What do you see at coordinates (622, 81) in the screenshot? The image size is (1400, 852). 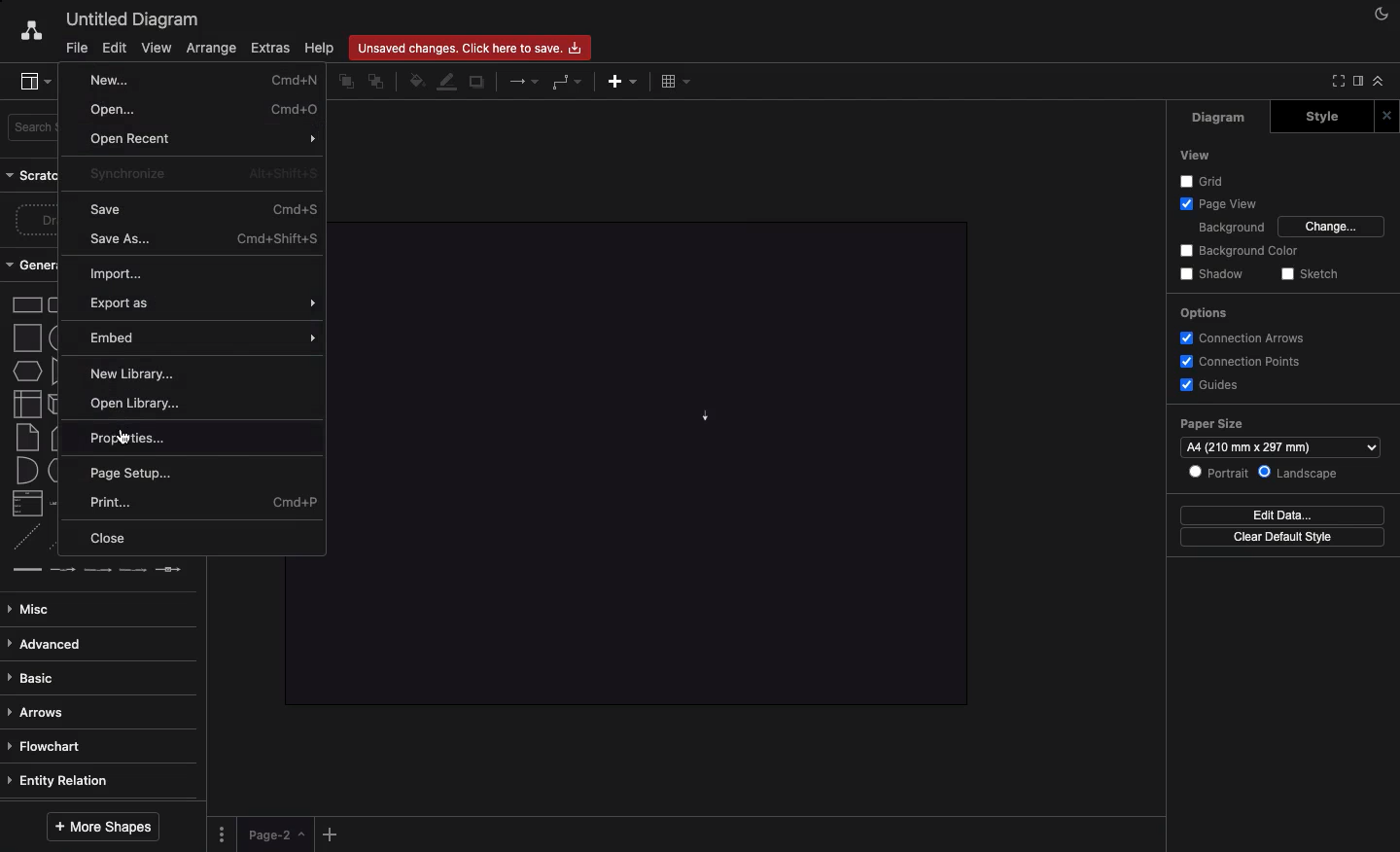 I see `Add` at bounding box center [622, 81].